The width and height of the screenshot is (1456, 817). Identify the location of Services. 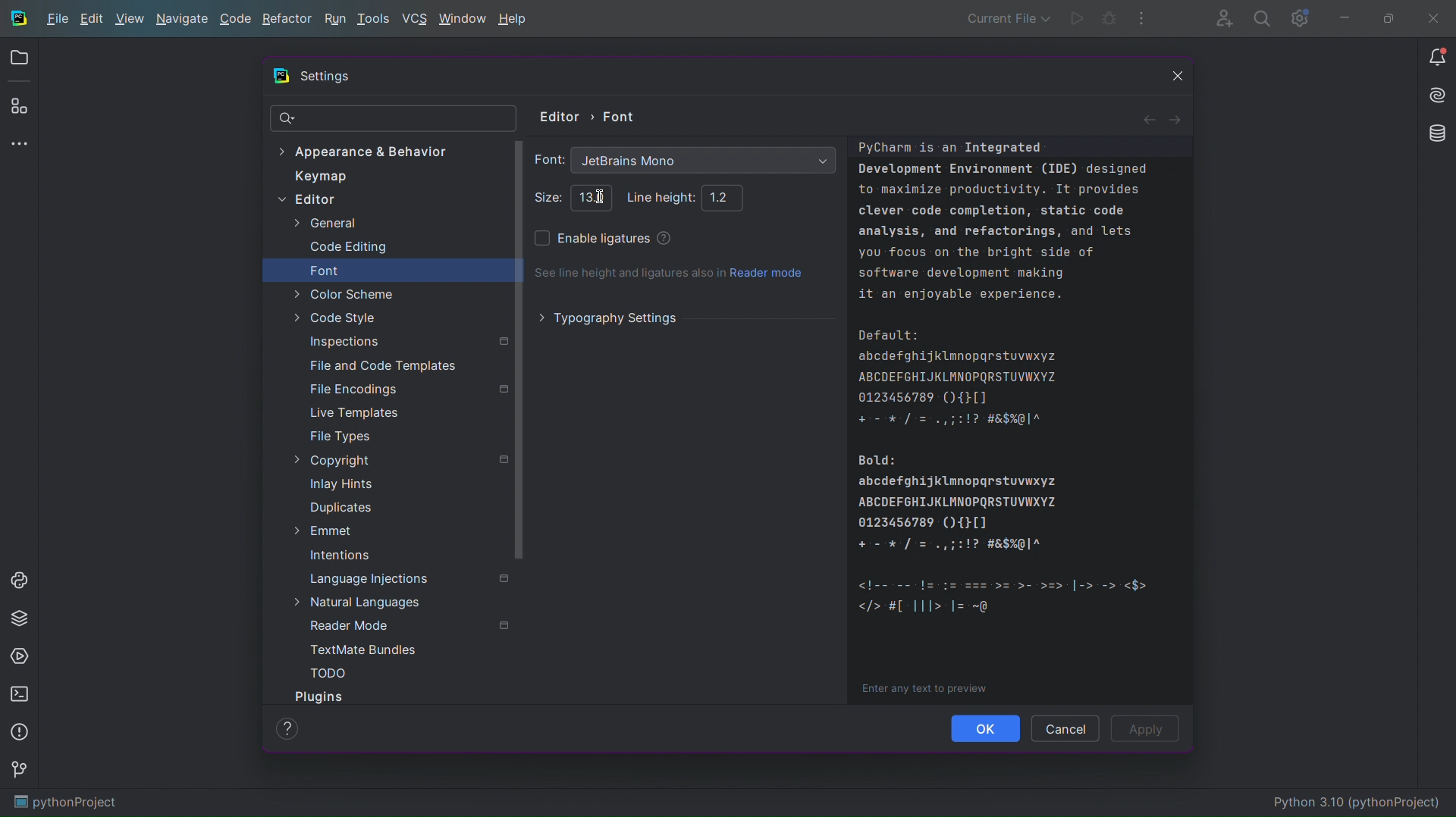
(21, 658).